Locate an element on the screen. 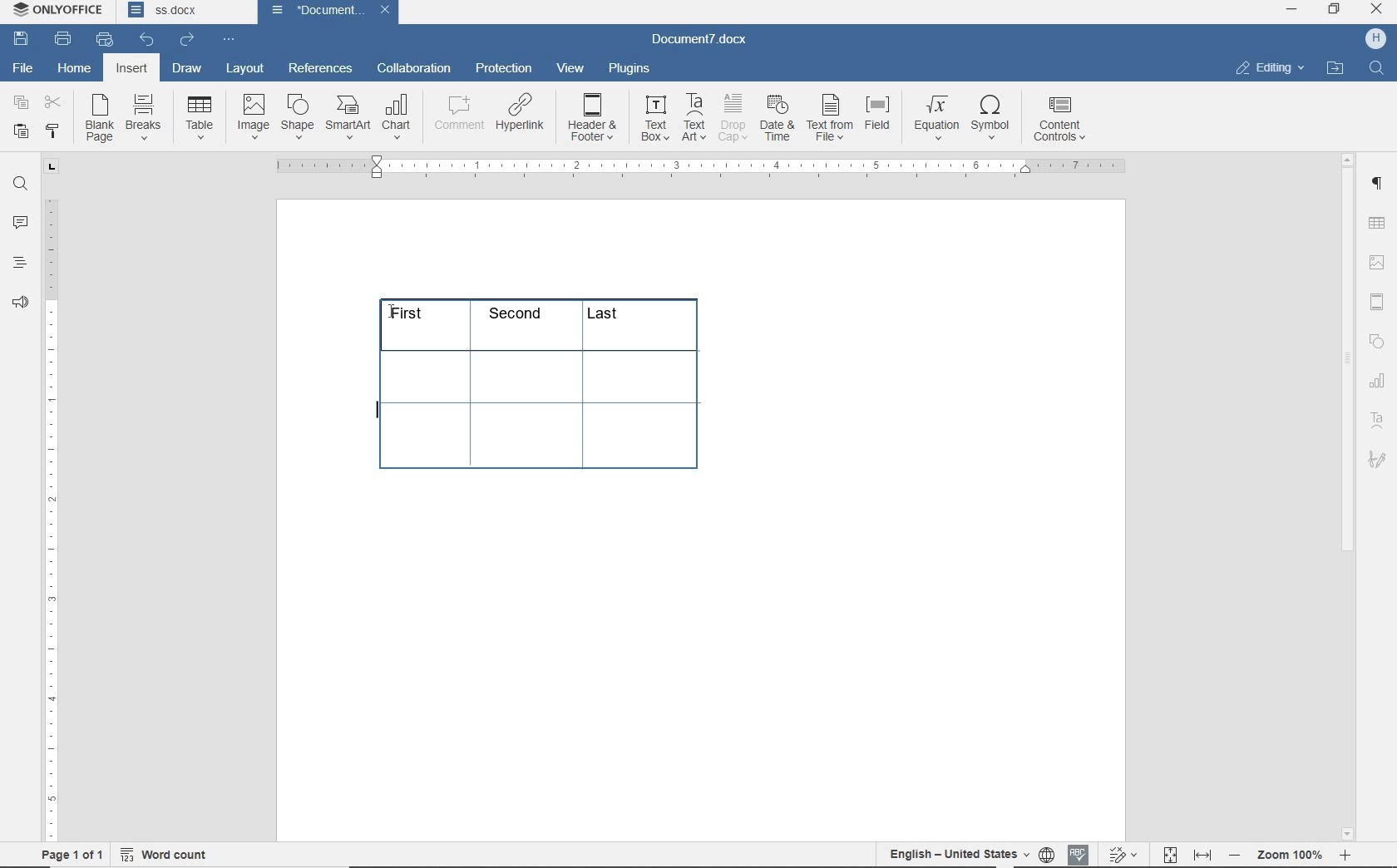 This screenshot has width=1397, height=868. text language is located at coordinates (959, 852).